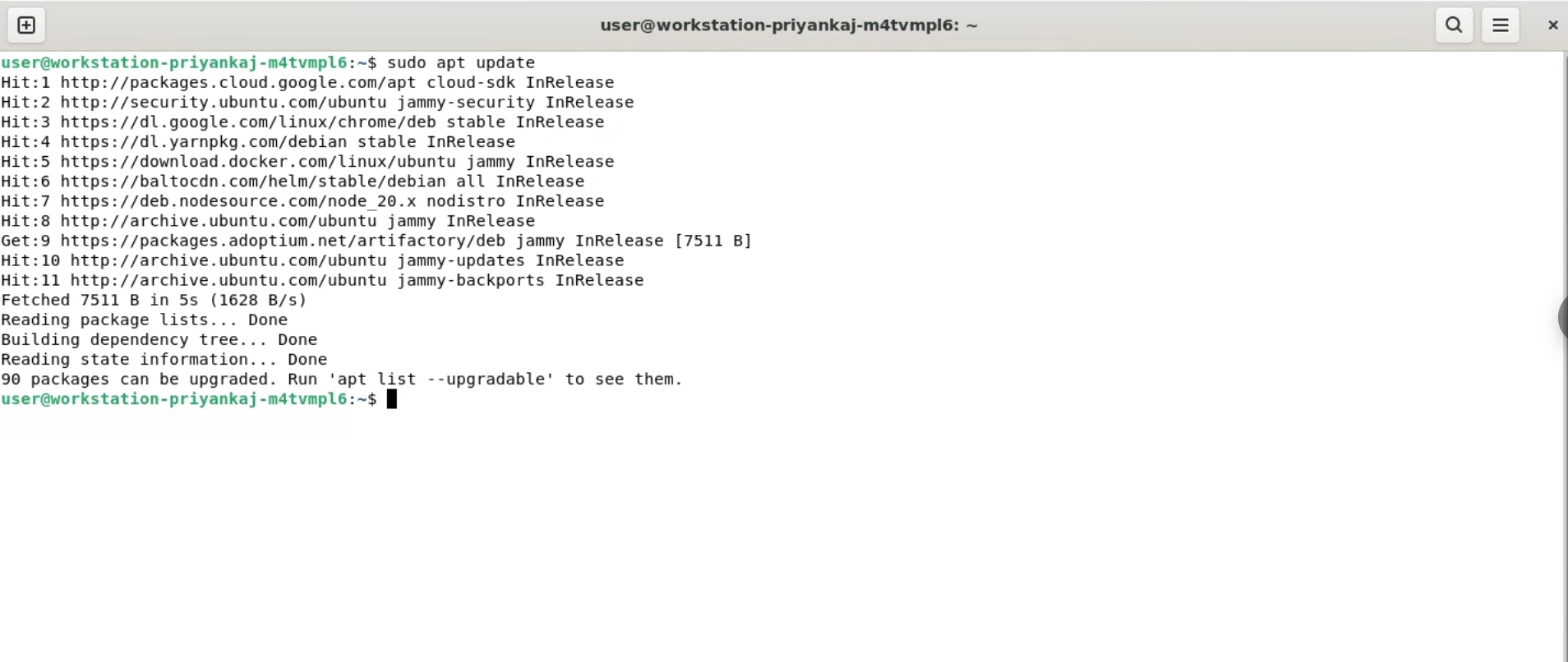 This screenshot has width=1568, height=662. Describe the element at coordinates (1547, 29) in the screenshot. I see `close` at that location.